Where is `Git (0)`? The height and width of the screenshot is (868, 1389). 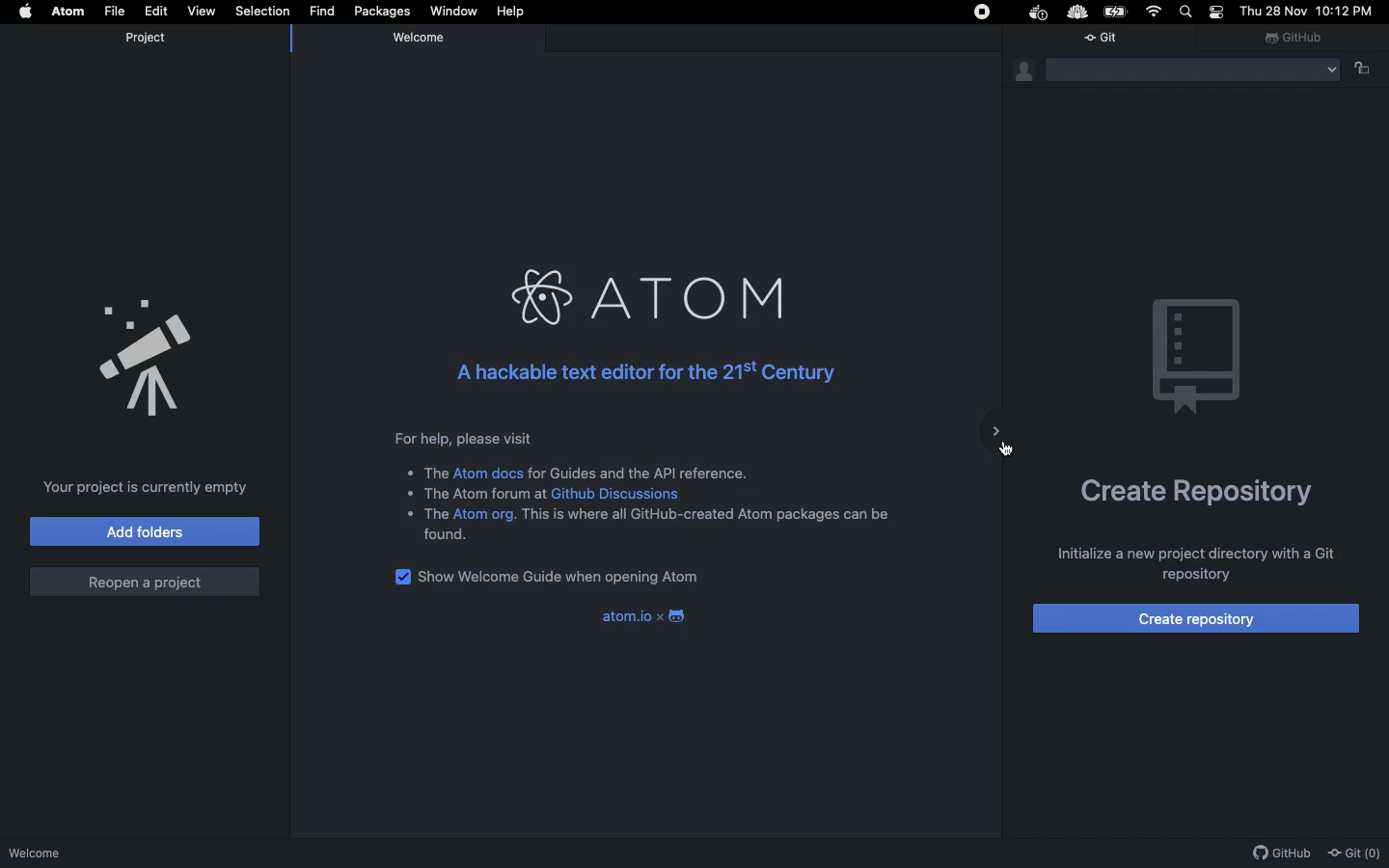
Git (0) is located at coordinates (1356, 855).